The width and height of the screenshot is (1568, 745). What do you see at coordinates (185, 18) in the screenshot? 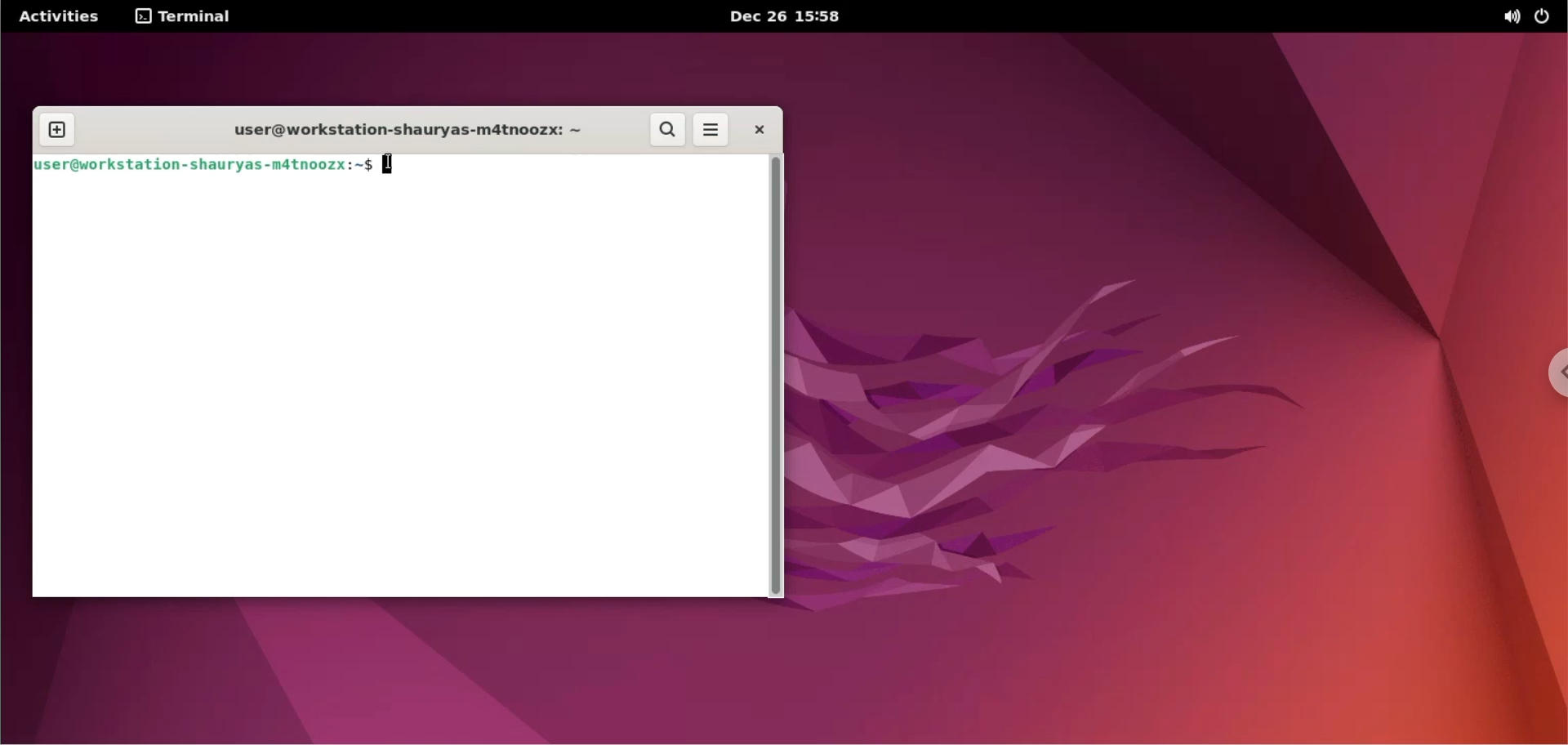
I see `terminal ` at bounding box center [185, 18].